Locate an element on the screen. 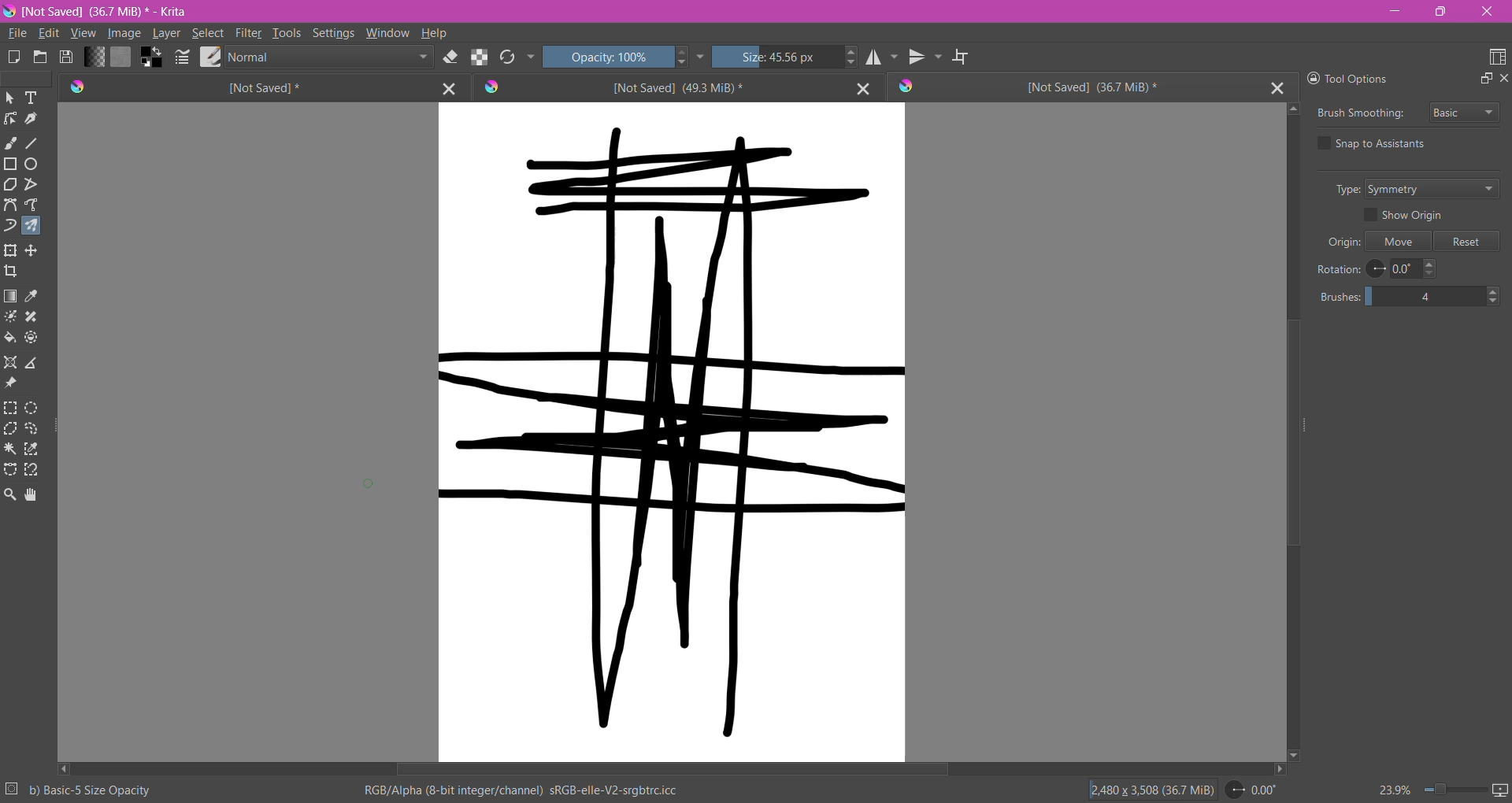 The image size is (1512, 803). Selected Brush Preset is located at coordinates (91, 790).